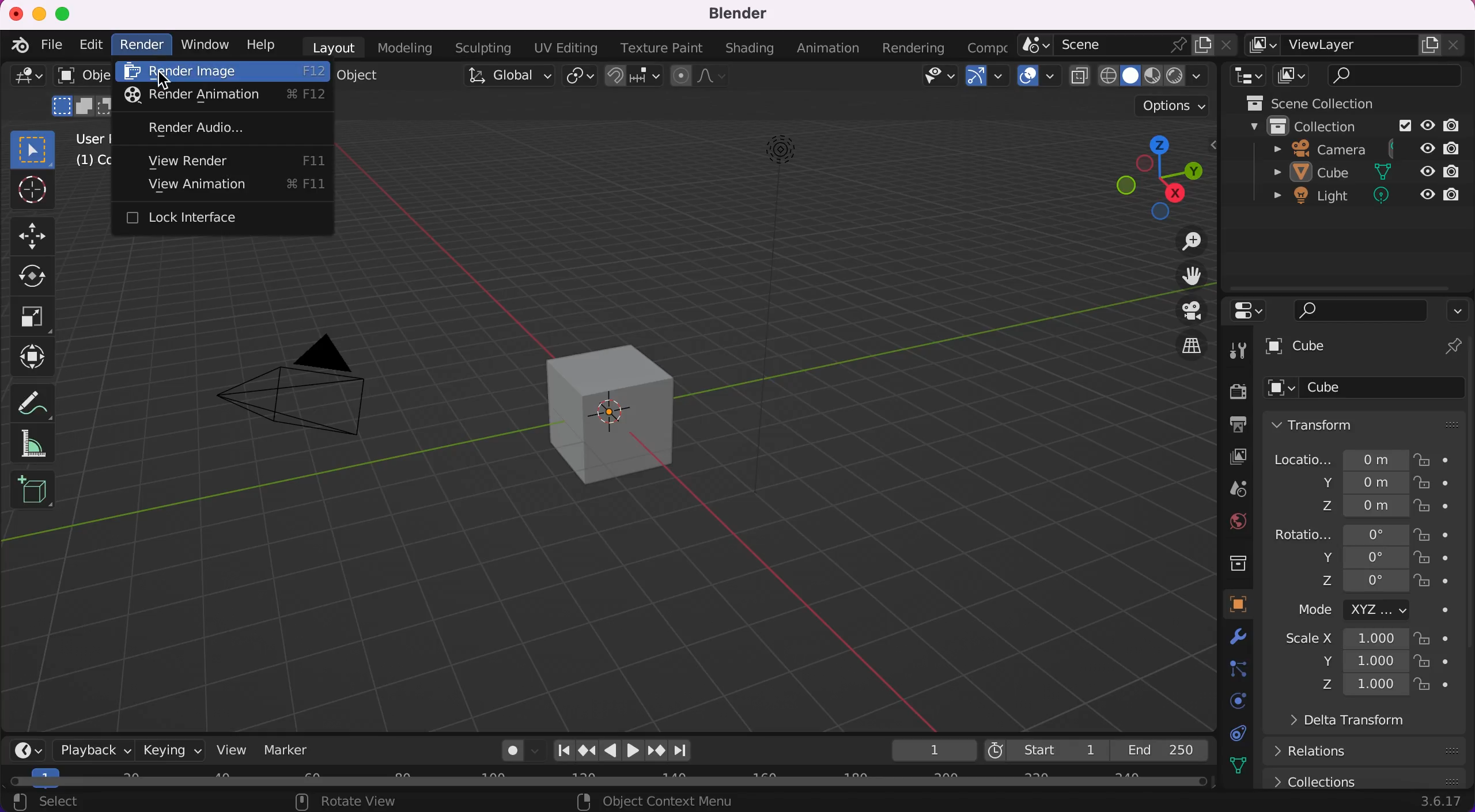 This screenshot has height=812, width=1475. I want to click on options, so click(1170, 105).